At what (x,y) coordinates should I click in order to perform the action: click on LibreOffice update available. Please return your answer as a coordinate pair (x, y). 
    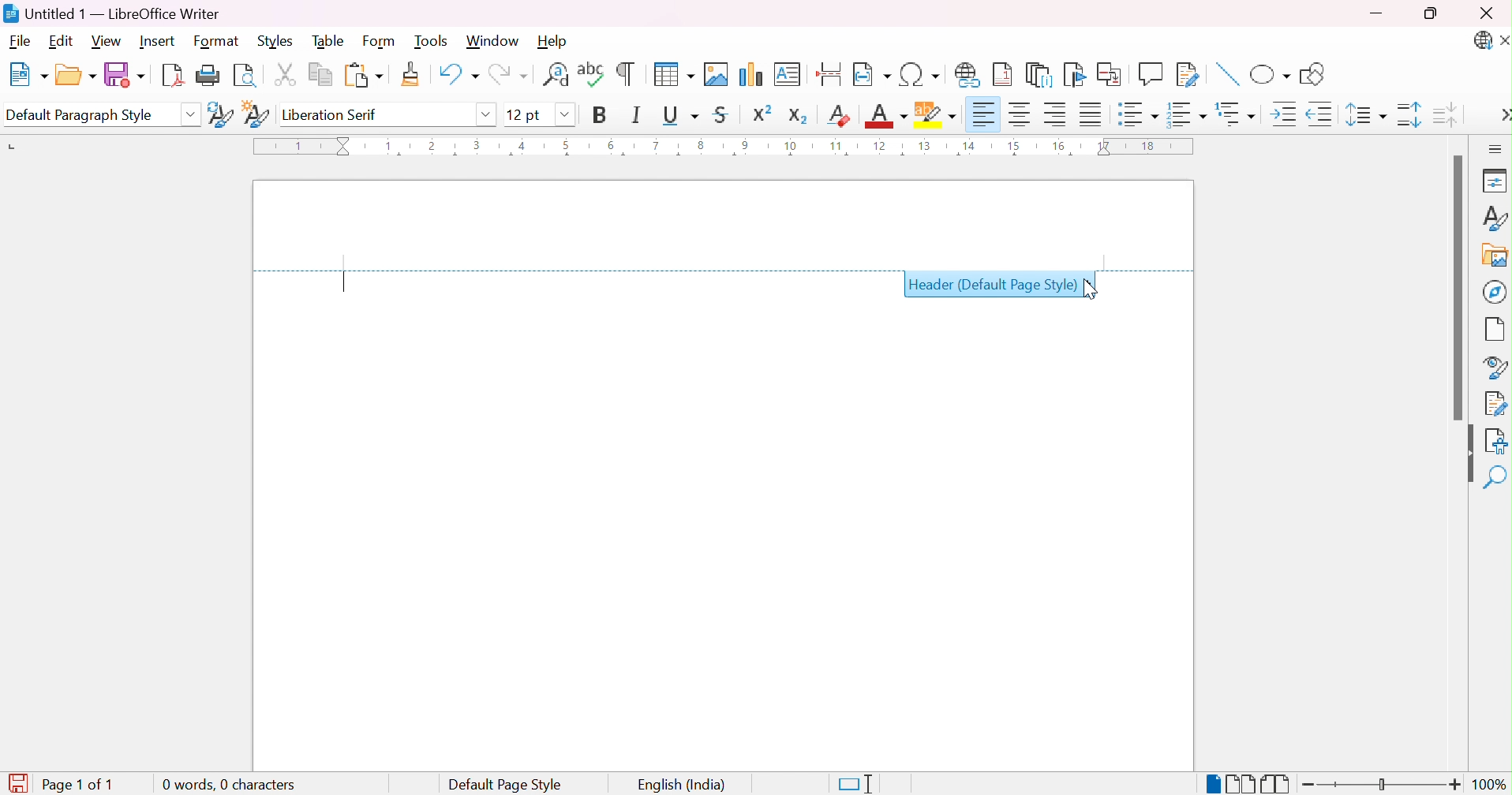
    Looking at the image, I should click on (1482, 42).